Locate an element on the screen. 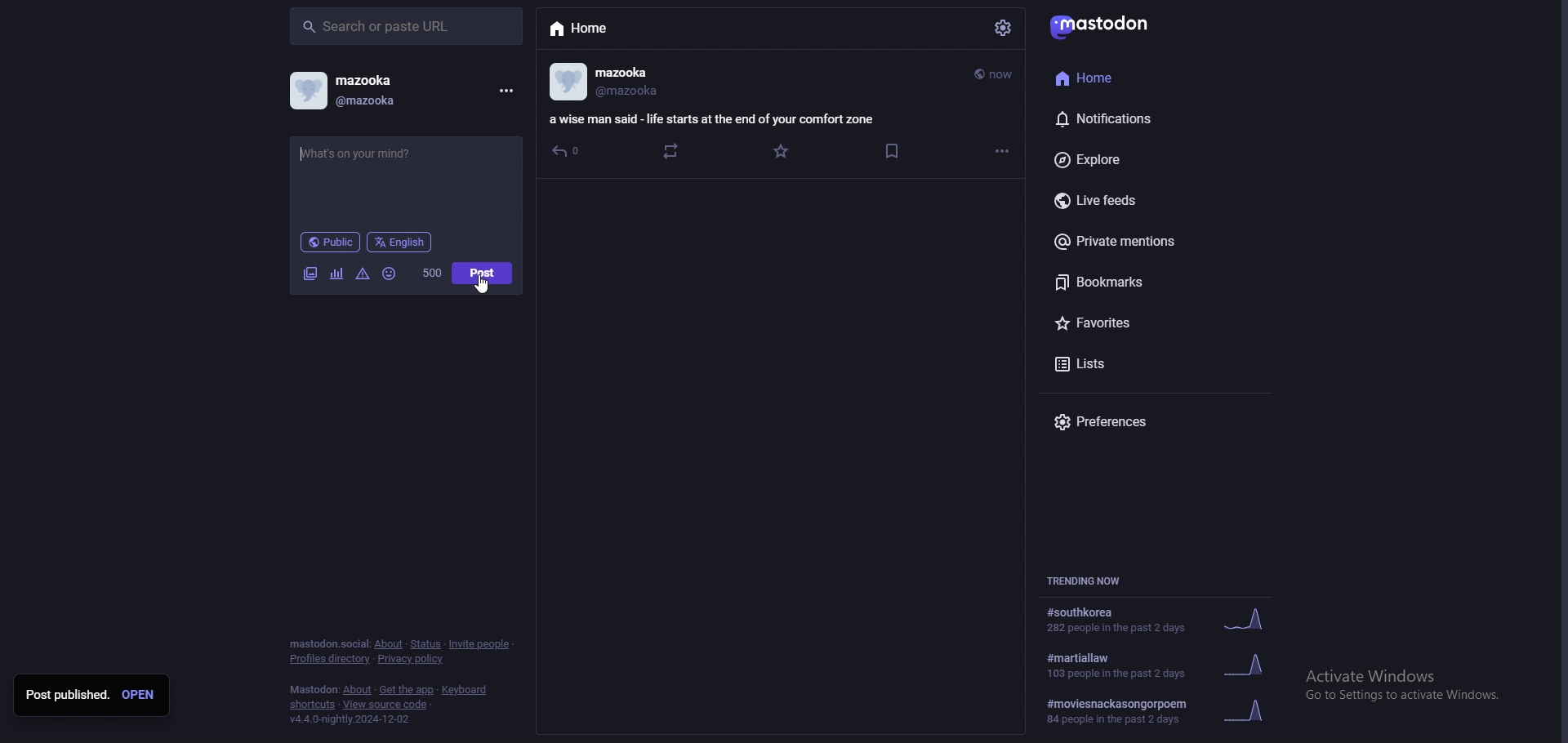  wisdom status is located at coordinates (717, 118).